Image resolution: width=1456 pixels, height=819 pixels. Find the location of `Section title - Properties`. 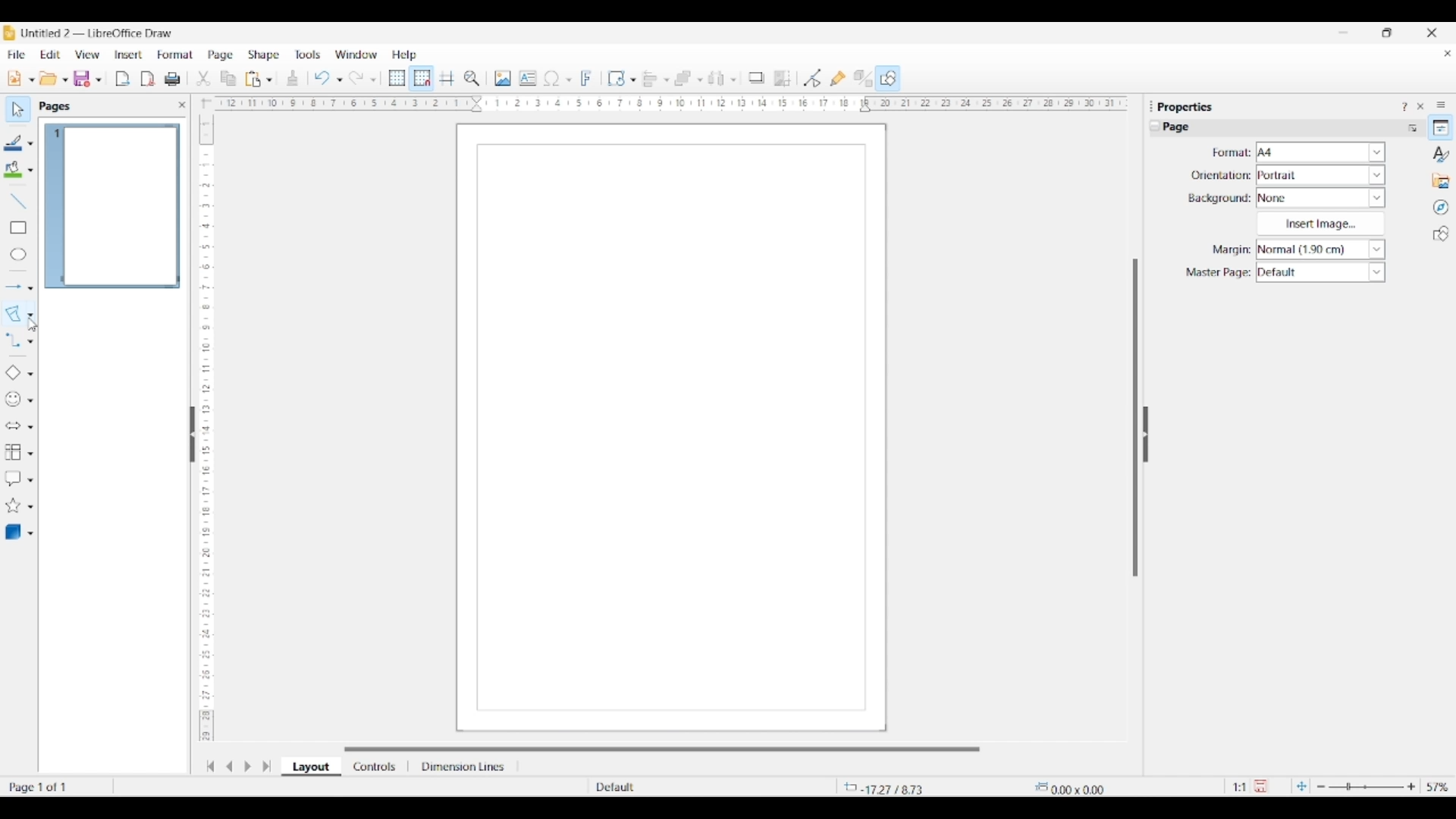

Section title - Properties is located at coordinates (1188, 106).